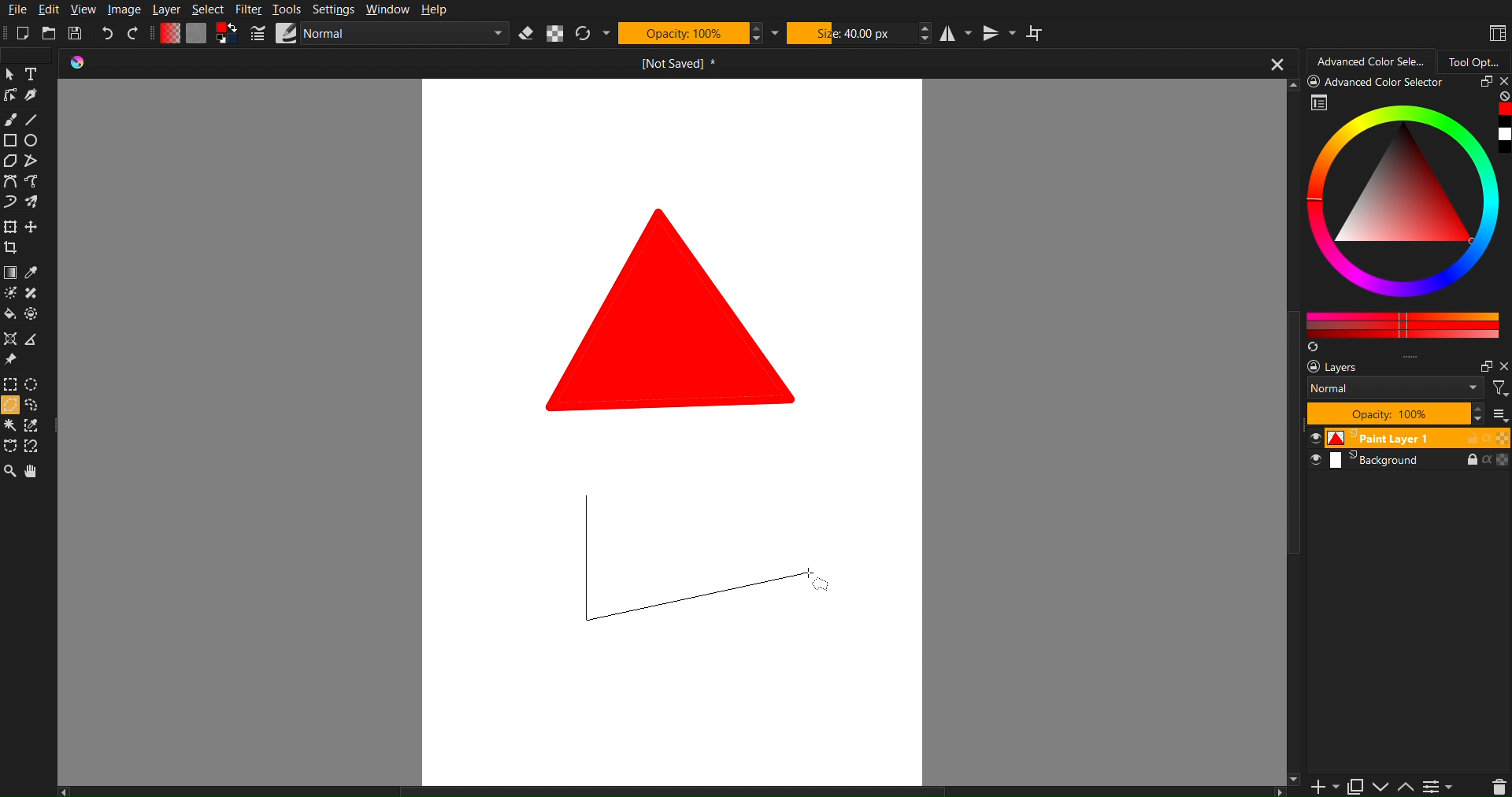 Image resolution: width=1512 pixels, height=797 pixels. What do you see at coordinates (34, 383) in the screenshot?
I see `Selection Square ` at bounding box center [34, 383].